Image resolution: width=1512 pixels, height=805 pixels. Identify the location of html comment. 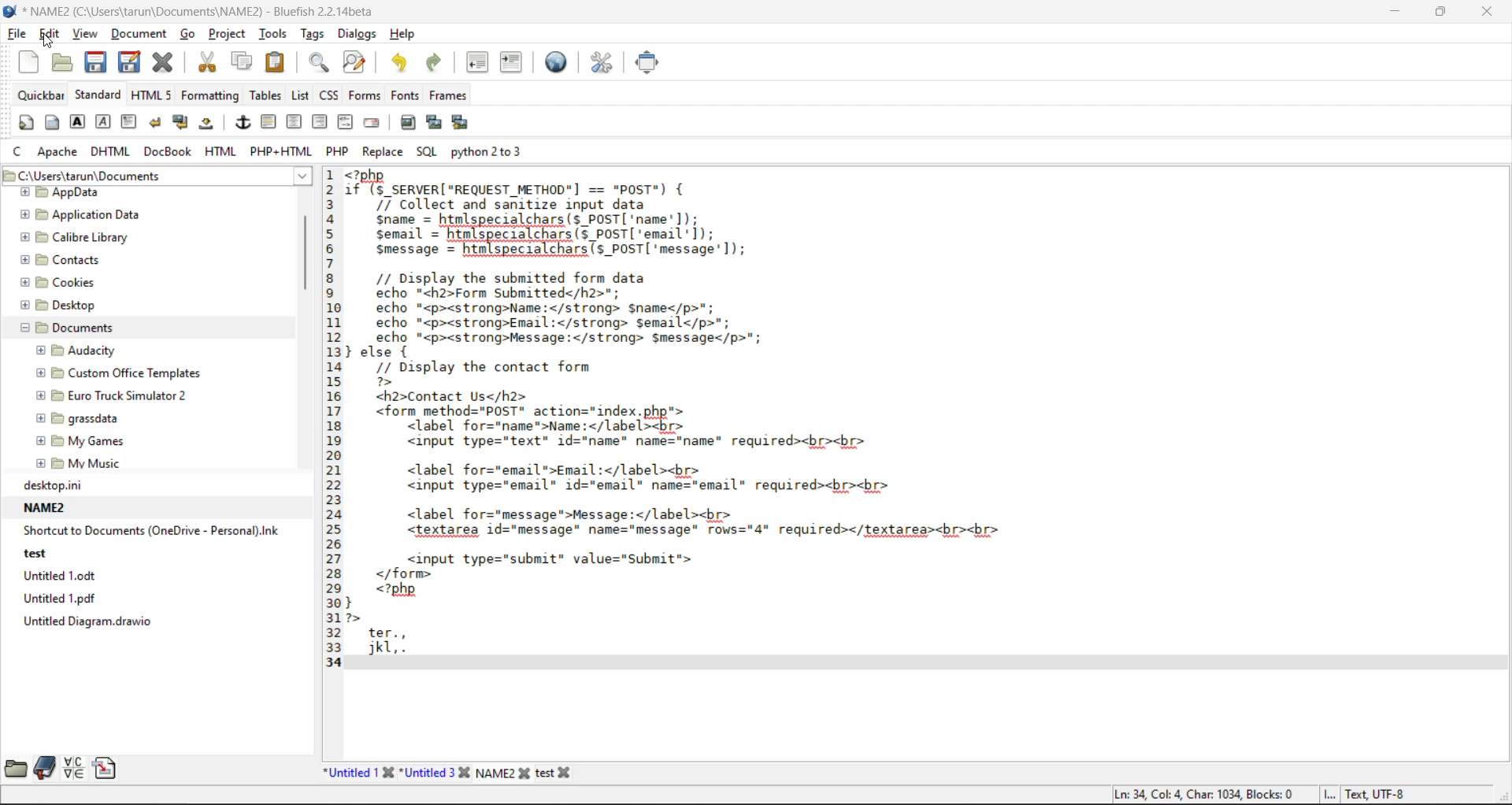
(348, 121).